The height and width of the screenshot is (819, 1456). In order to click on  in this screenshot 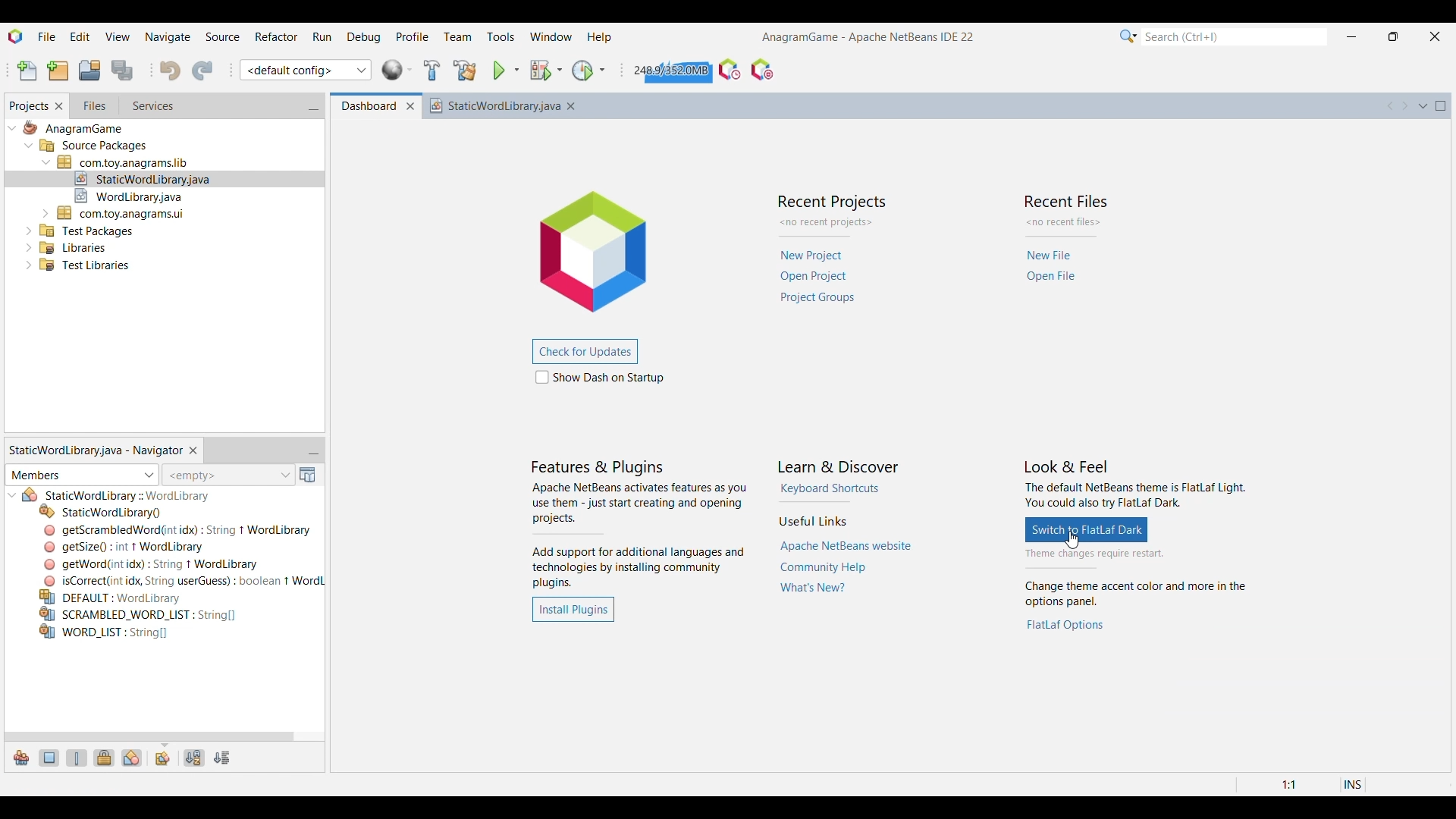, I will do `click(94, 147)`.